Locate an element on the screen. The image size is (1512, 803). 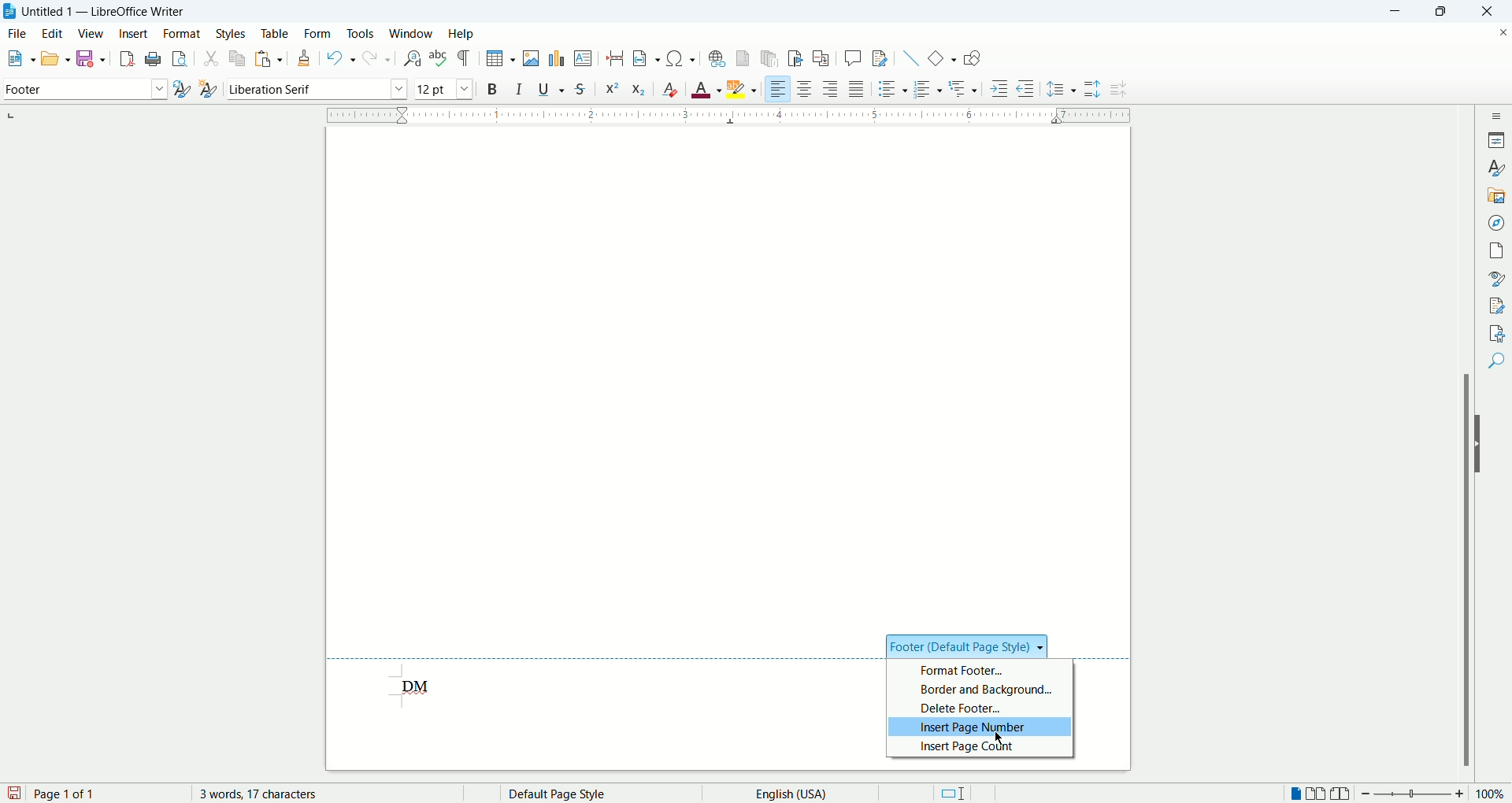
show draw functions is located at coordinates (972, 60).